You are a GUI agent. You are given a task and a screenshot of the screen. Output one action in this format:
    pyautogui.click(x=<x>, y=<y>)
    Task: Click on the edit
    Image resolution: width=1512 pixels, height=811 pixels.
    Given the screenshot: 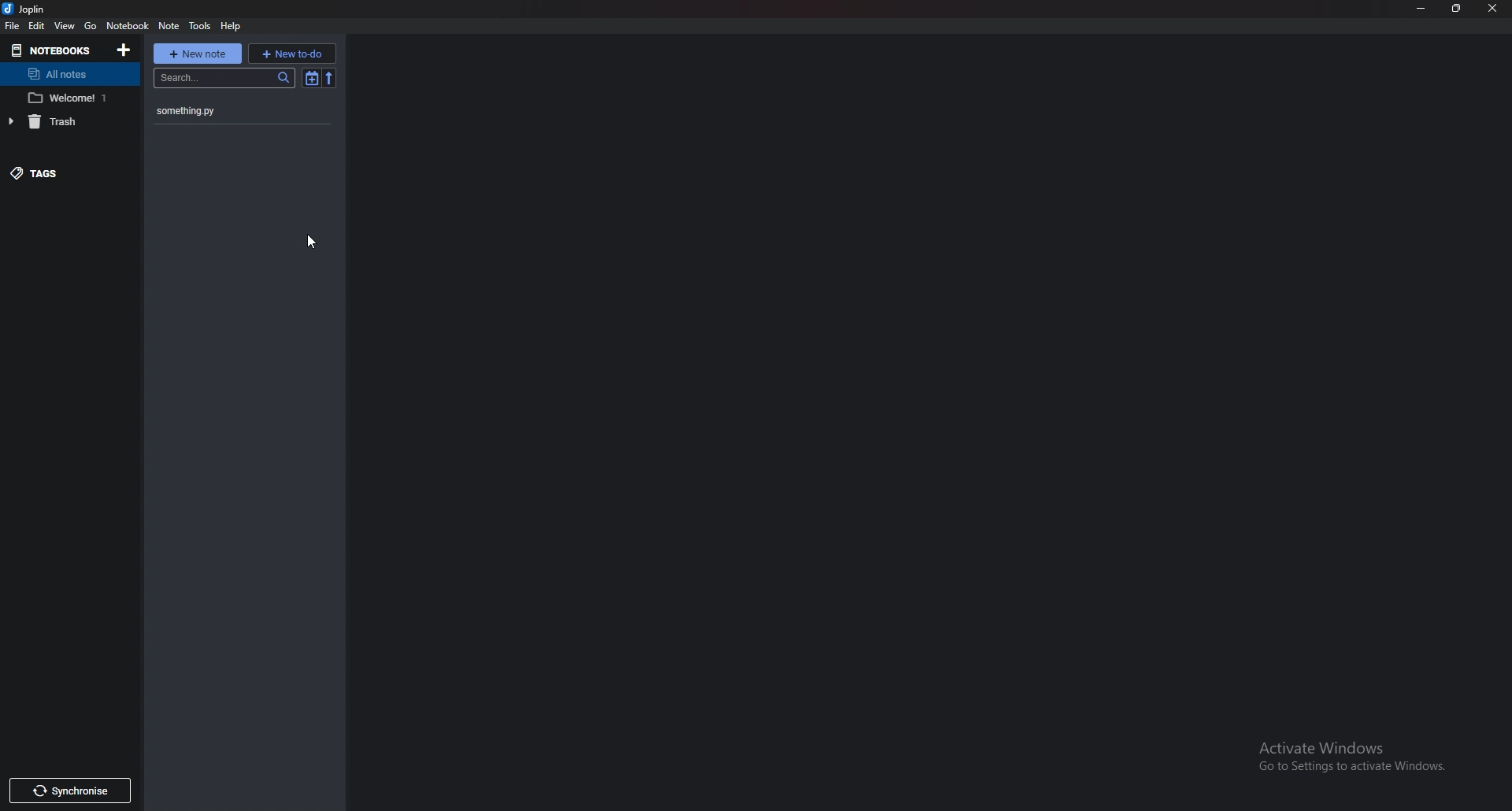 What is the action you would take?
    pyautogui.click(x=38, y=25)
    